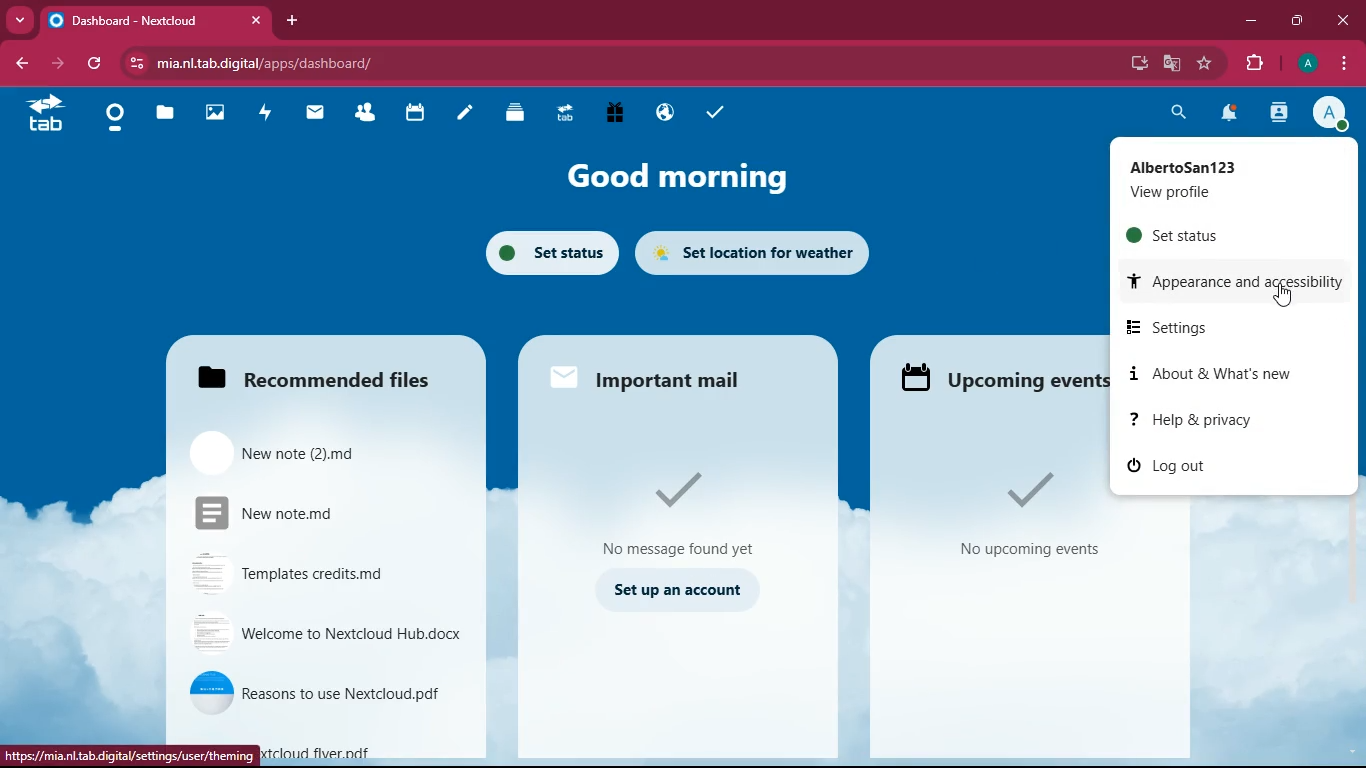 The height and width of the screenshot is (768, 1366). I want to click on mia.nltab.digital/apps/dashboard/, so click(266, 60).